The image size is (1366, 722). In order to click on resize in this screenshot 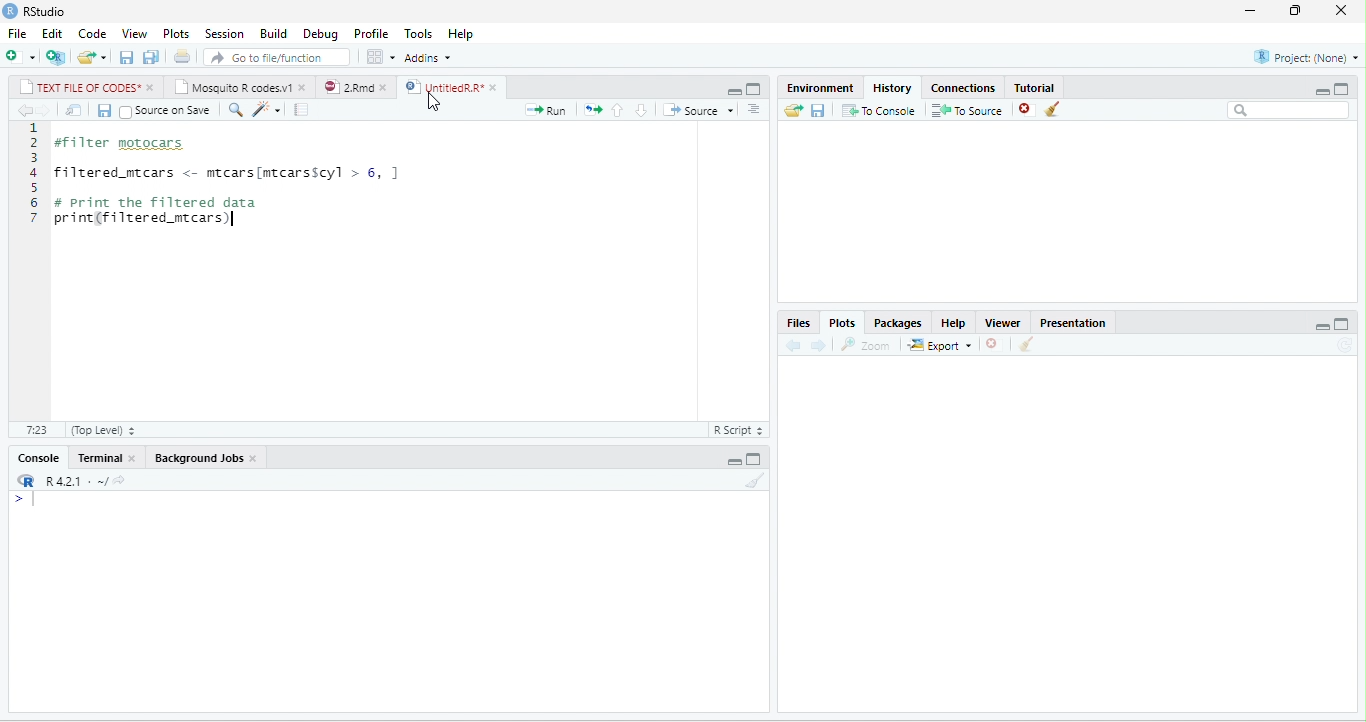, I will do `click(1292, 11)`.